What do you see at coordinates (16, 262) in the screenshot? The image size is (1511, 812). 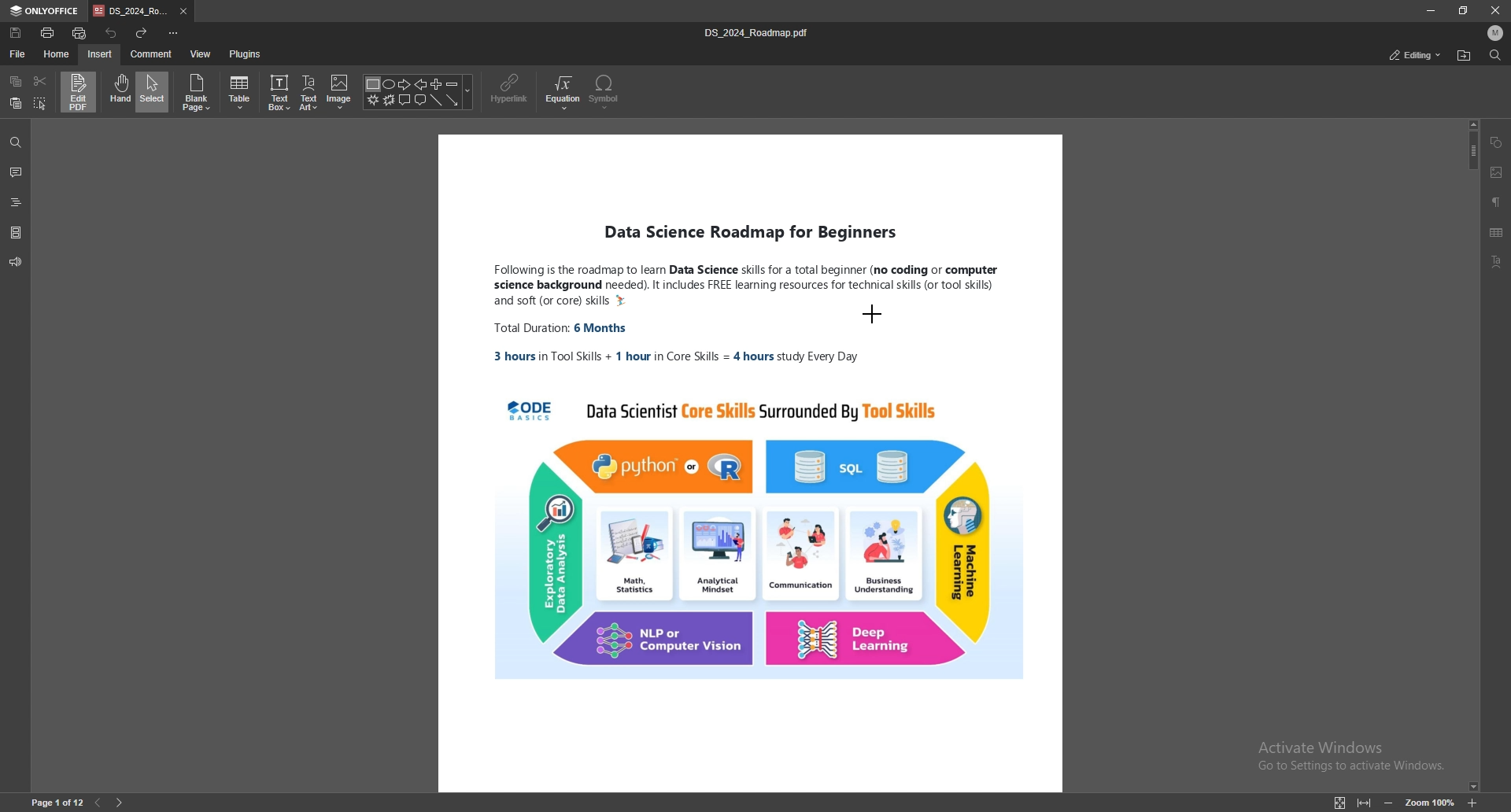 I see `feedback` at bounding box center [16, 262].